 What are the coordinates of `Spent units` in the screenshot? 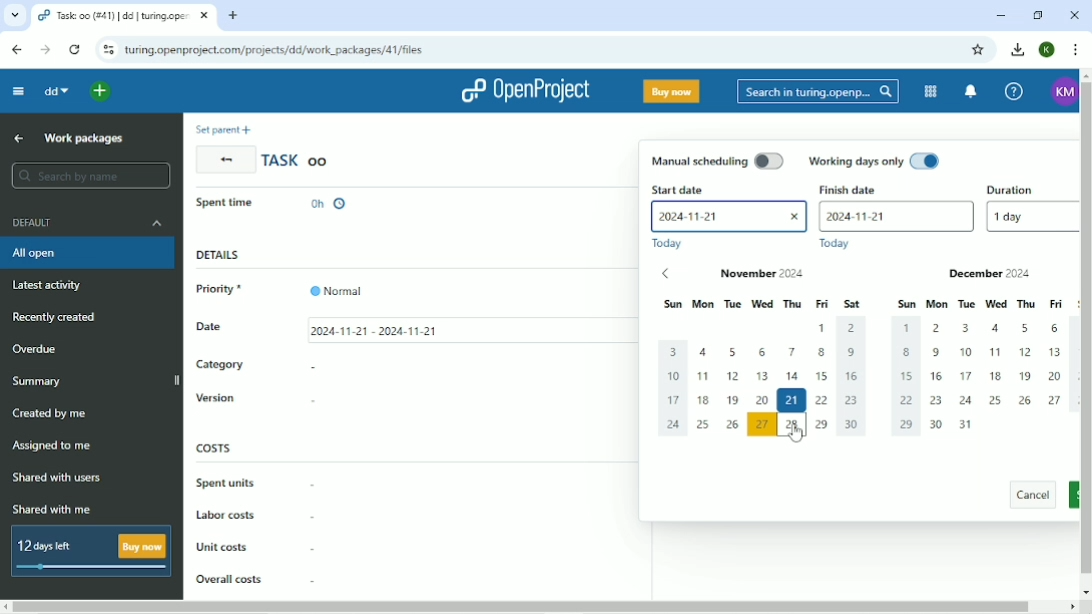 It's located at (225, 483).